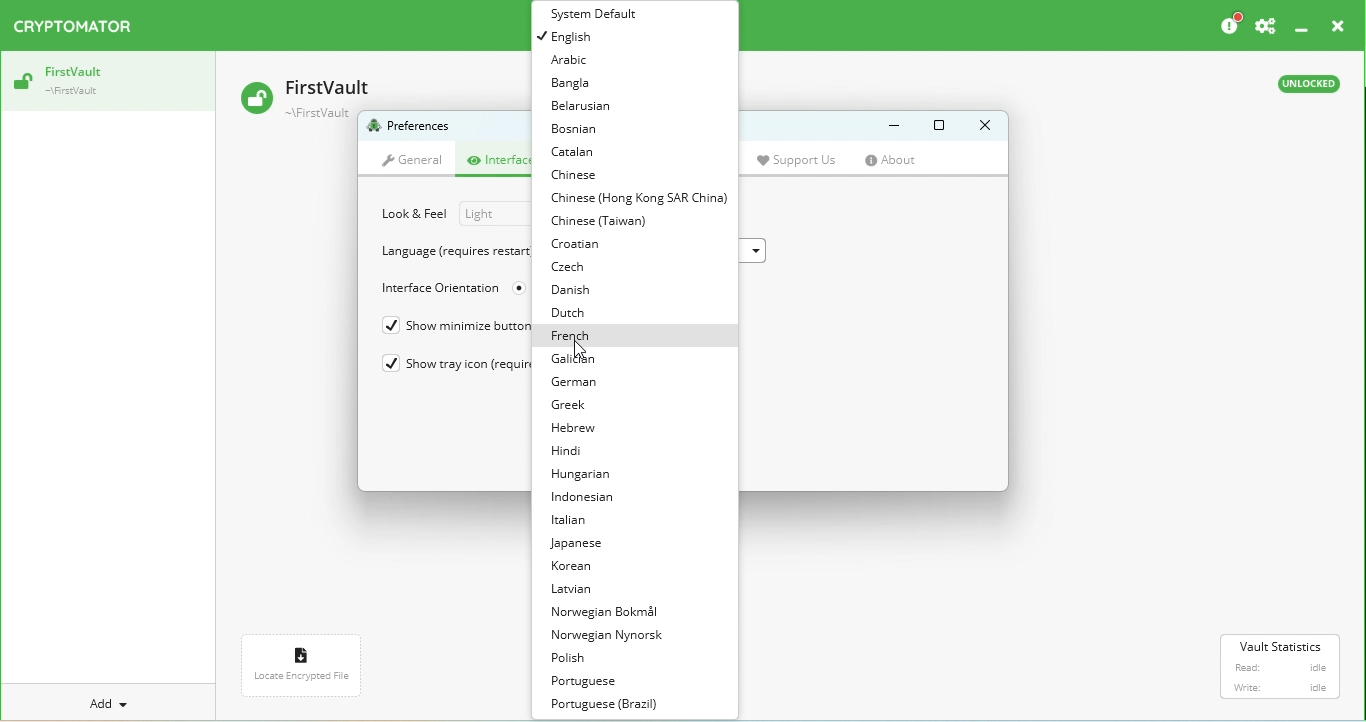 This screenshot has height=722, width=1366. I want to click on Portuguese, so click(595, 682).